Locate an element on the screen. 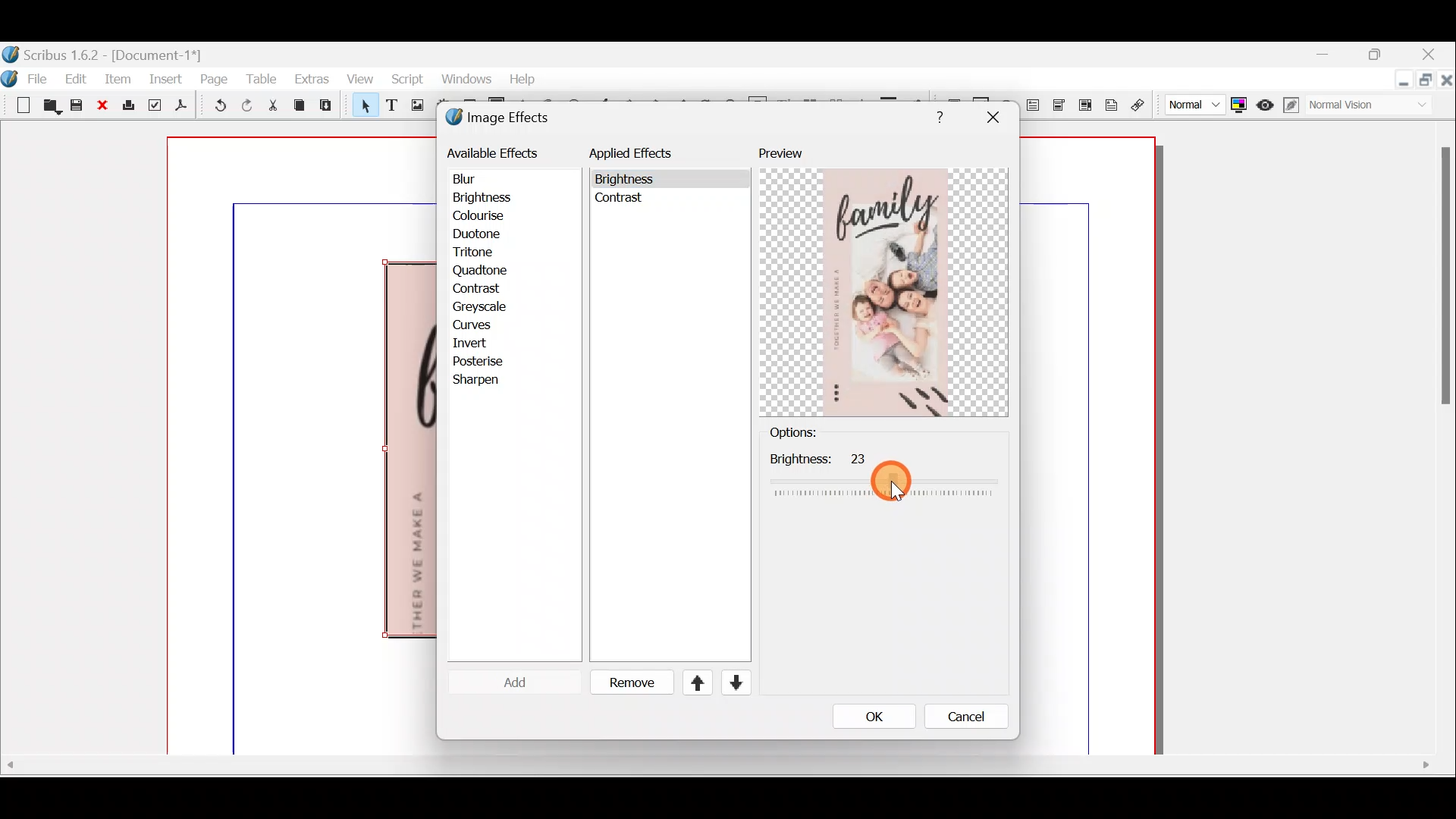 Image resolution: width=1456 pixels, height=819 pixels. Windows is located at coordinates (462, 80).